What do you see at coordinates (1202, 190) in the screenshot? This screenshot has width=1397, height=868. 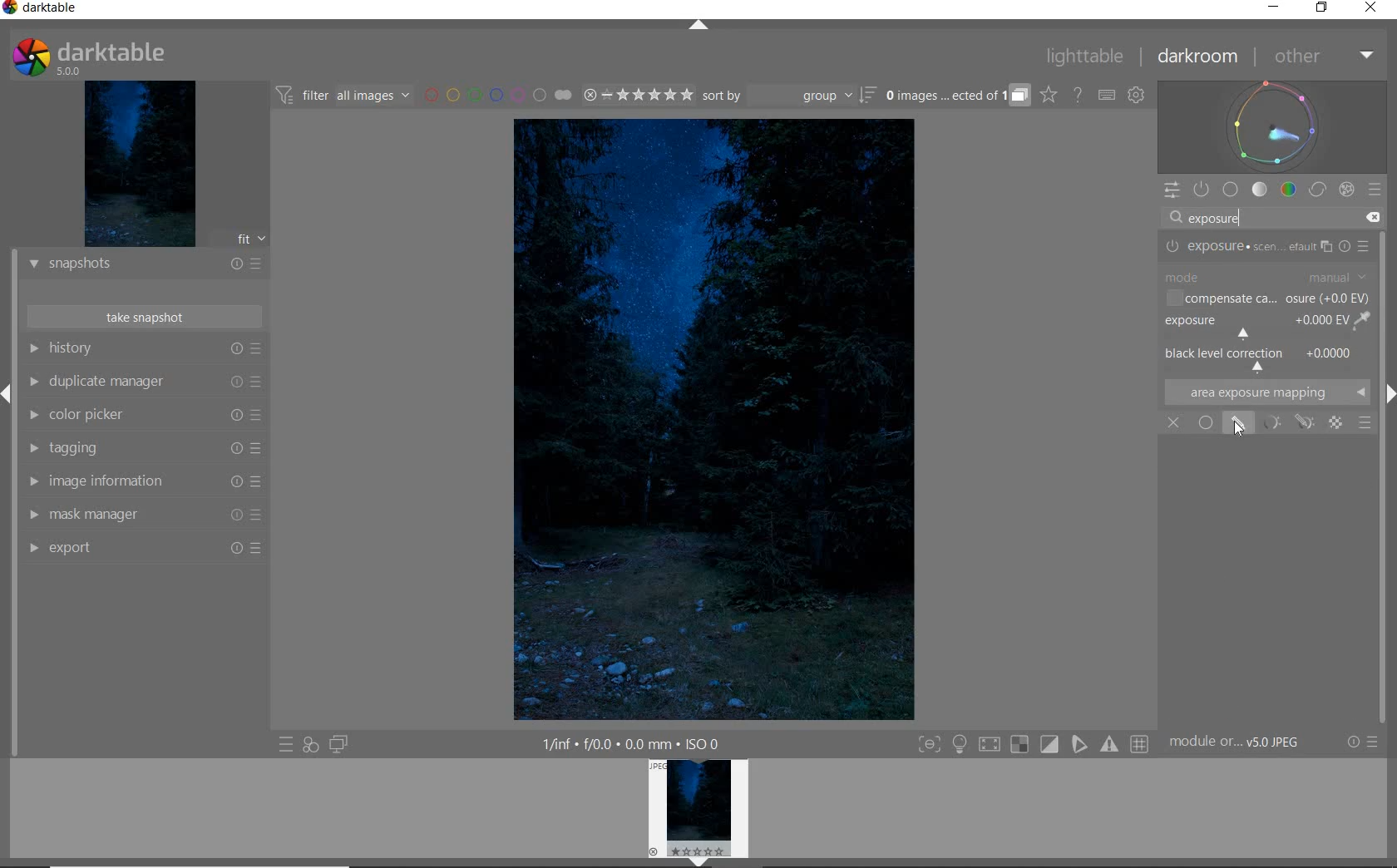 I see `SHOW ONLY ACTIVE MODULES` at bounding box center [1202, 190].